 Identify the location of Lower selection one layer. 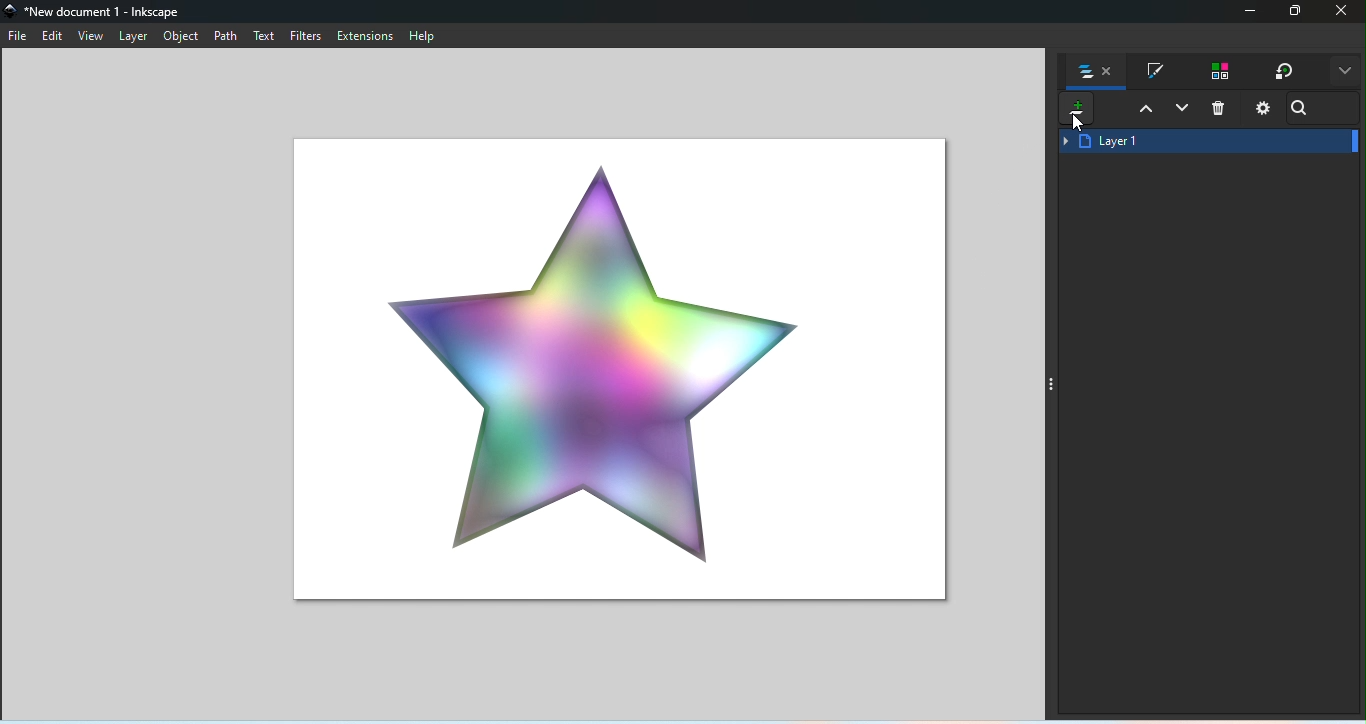
(1181, 113).